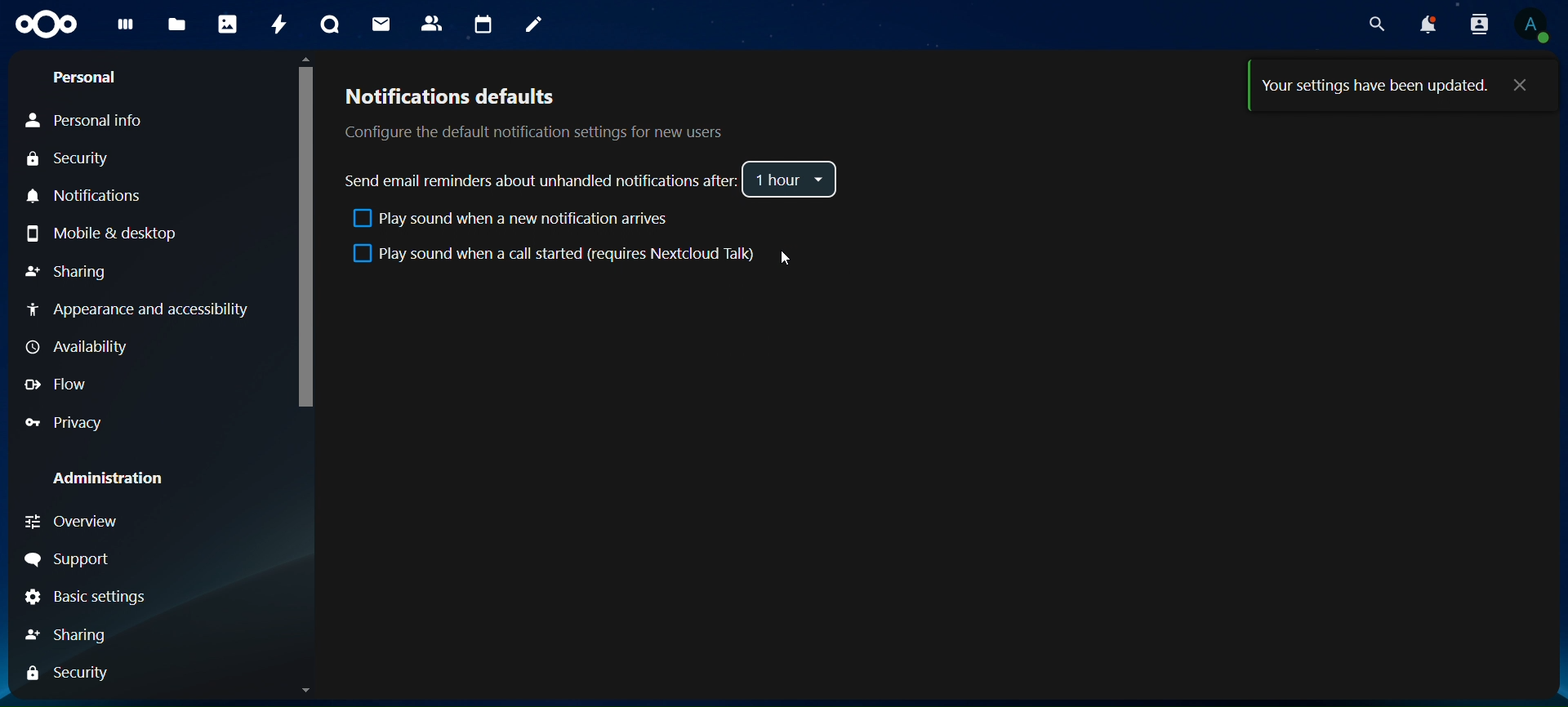  What do you see at coordinates (226, 24) in the screenshot?
I see `photos` at bounding box center [226, 24].